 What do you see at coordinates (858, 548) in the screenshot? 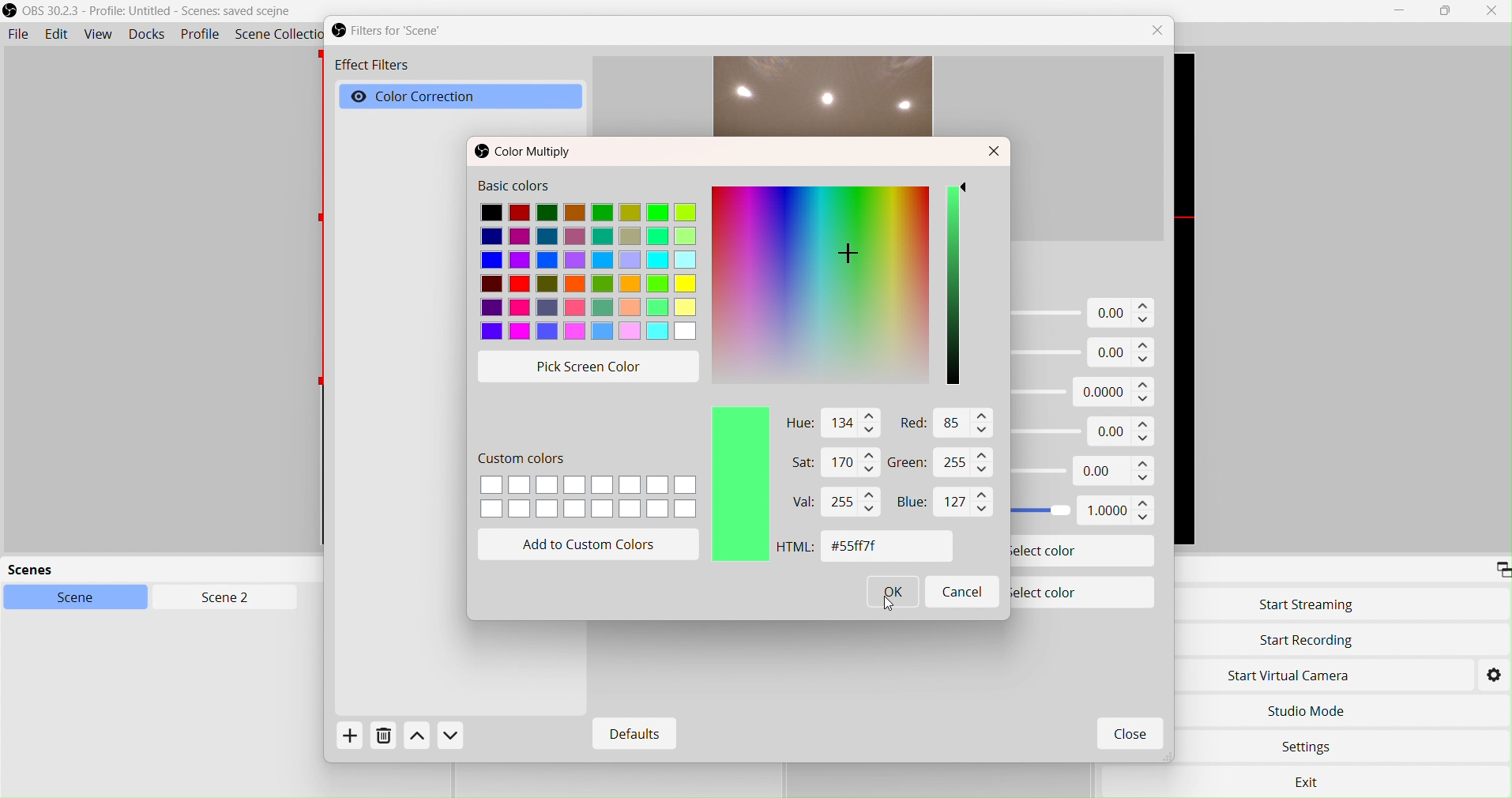
I see `HTML: #55ff7f` at bounding box center [858, 548].